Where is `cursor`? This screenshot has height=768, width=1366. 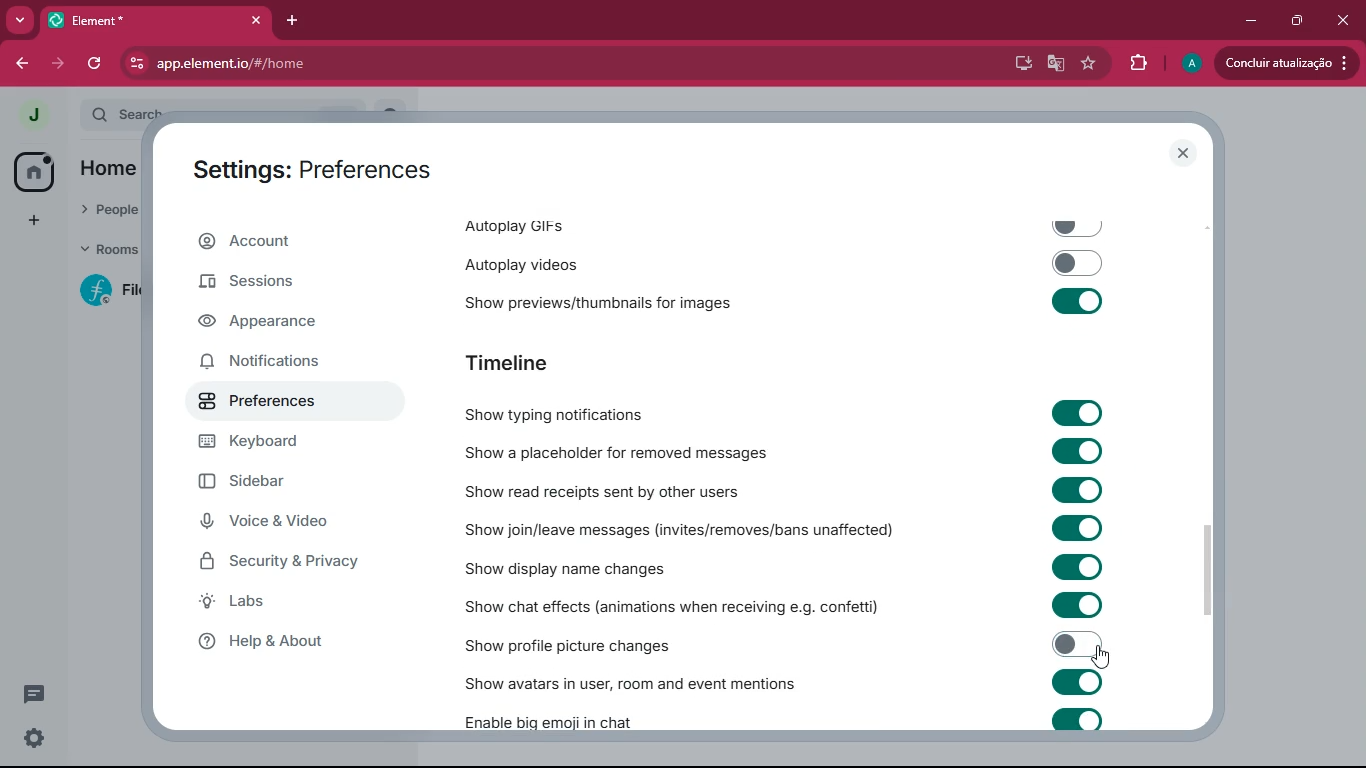 cursor is located at coordinates (1103, 662).